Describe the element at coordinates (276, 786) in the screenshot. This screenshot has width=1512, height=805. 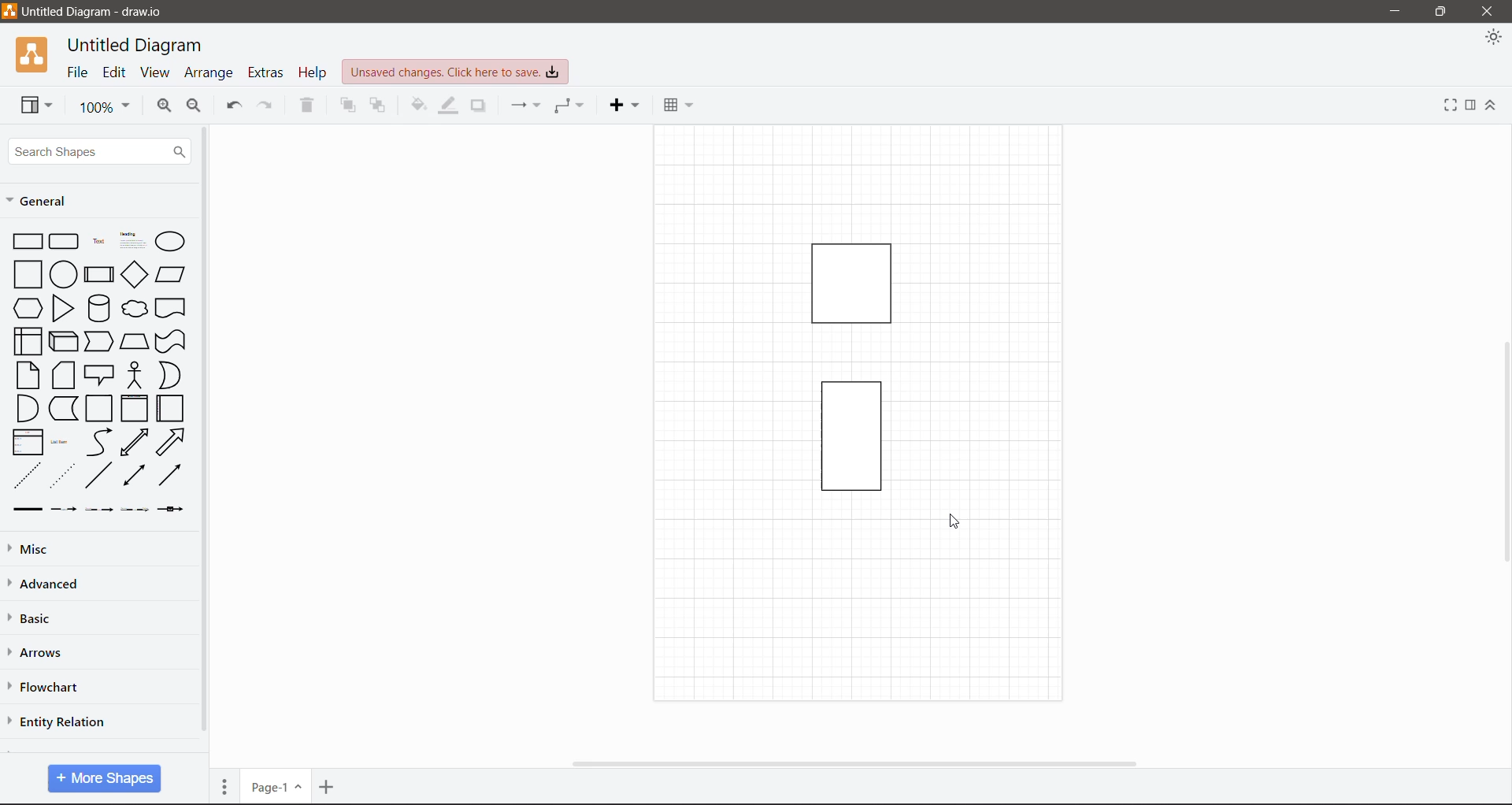
I see `Page Number` at that location.